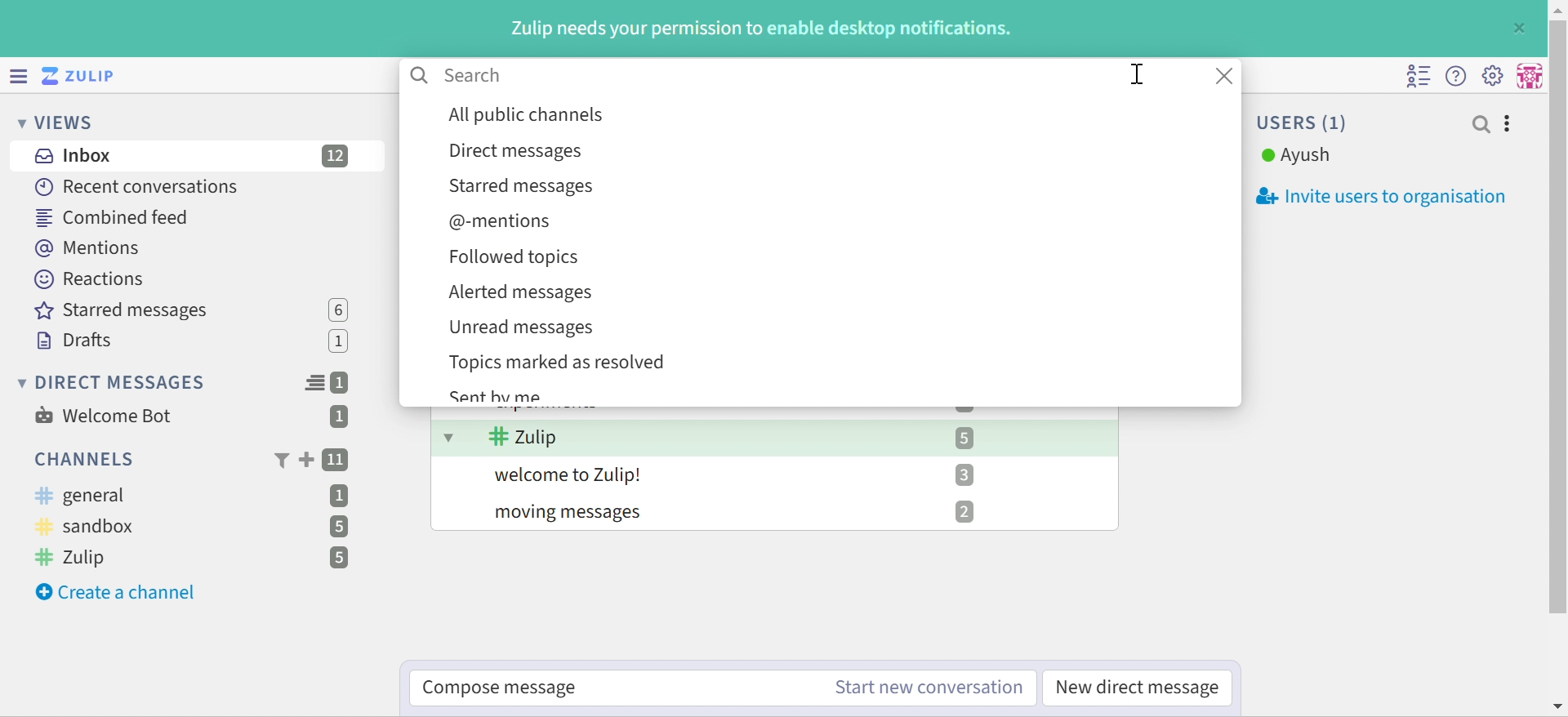  What do you see at coordinates (1138, 688) in the screenshot?
I see `New direct message` at bounding box center [1138, 688].